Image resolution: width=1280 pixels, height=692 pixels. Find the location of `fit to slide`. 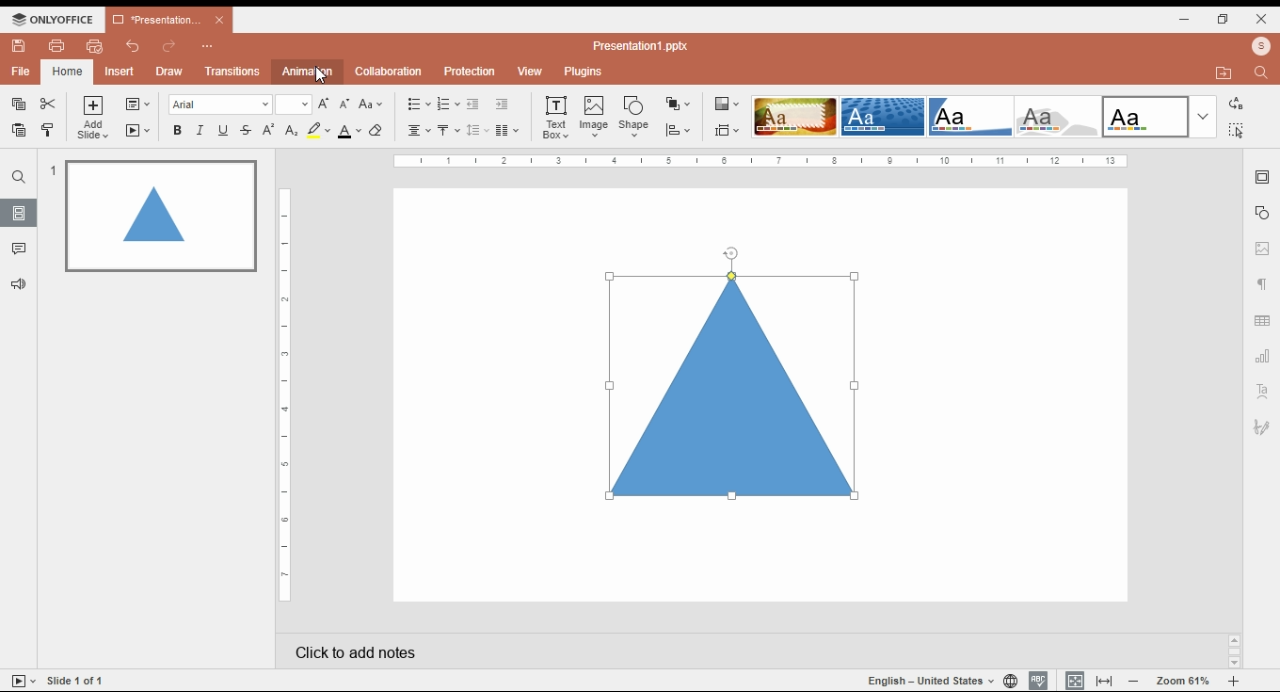

fit to slide is located at coordinates (1074, 681).